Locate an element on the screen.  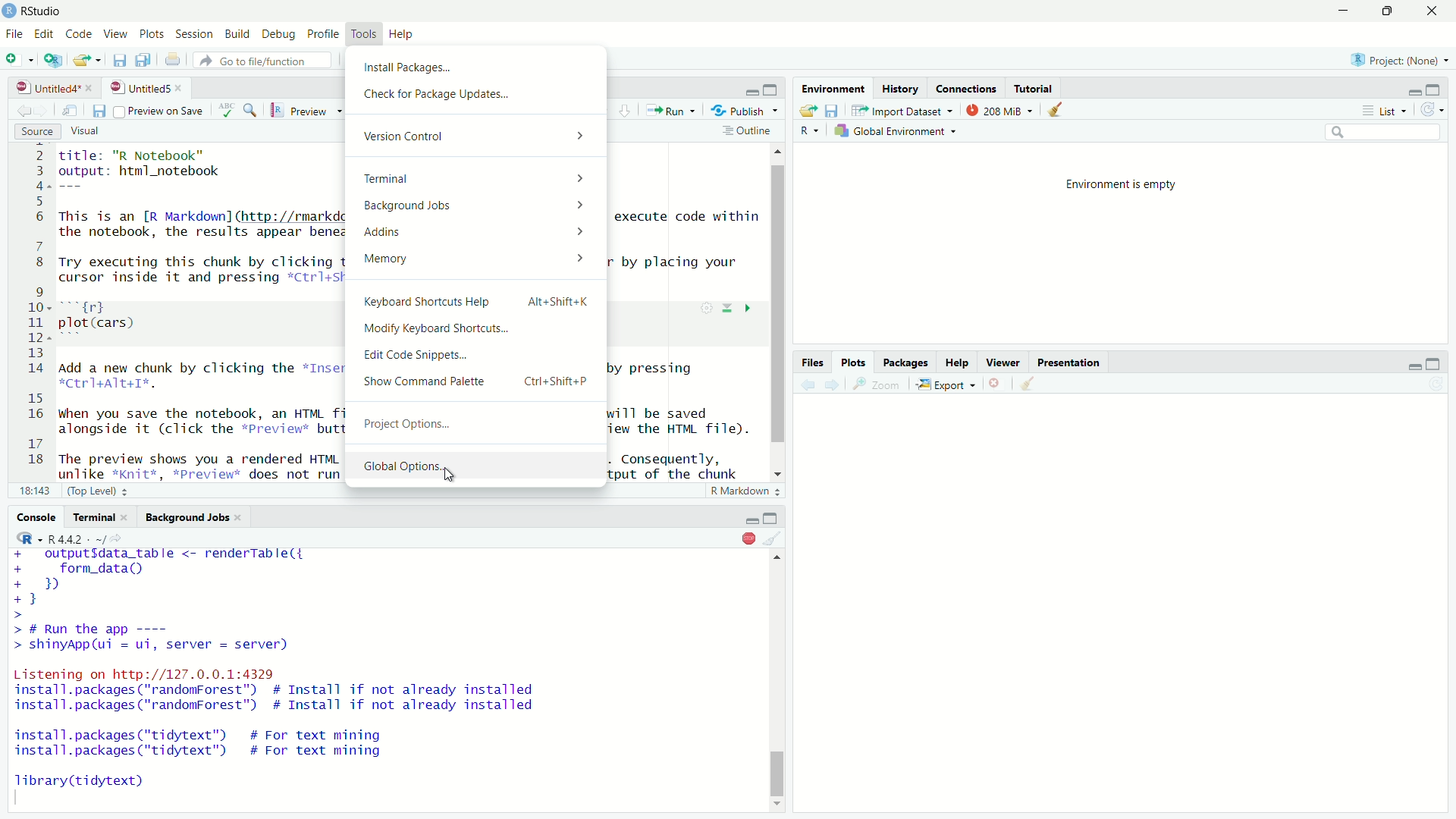
Session is located at coordinates (196, 35).